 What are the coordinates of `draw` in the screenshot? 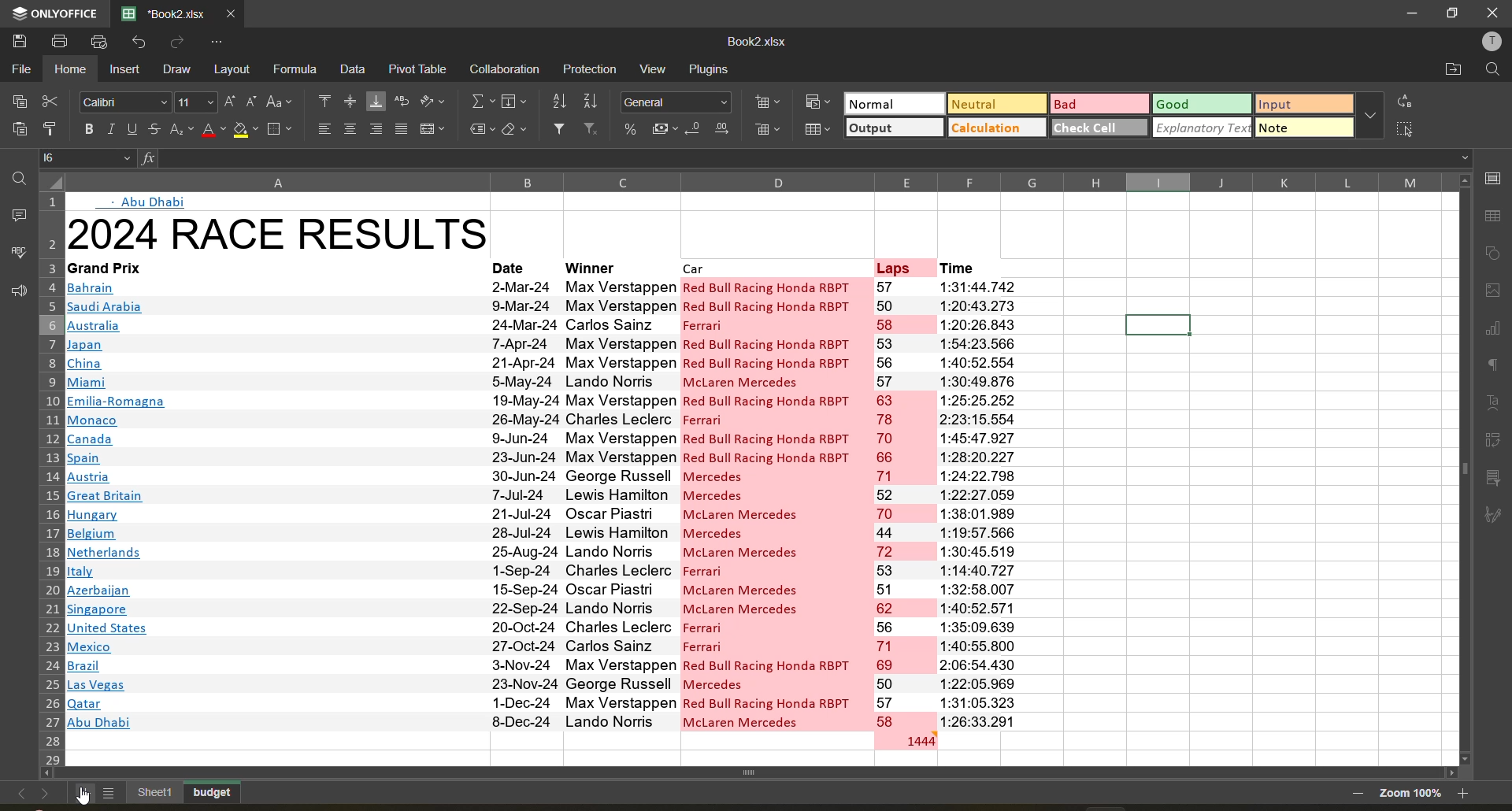 It's located at (183, 71).